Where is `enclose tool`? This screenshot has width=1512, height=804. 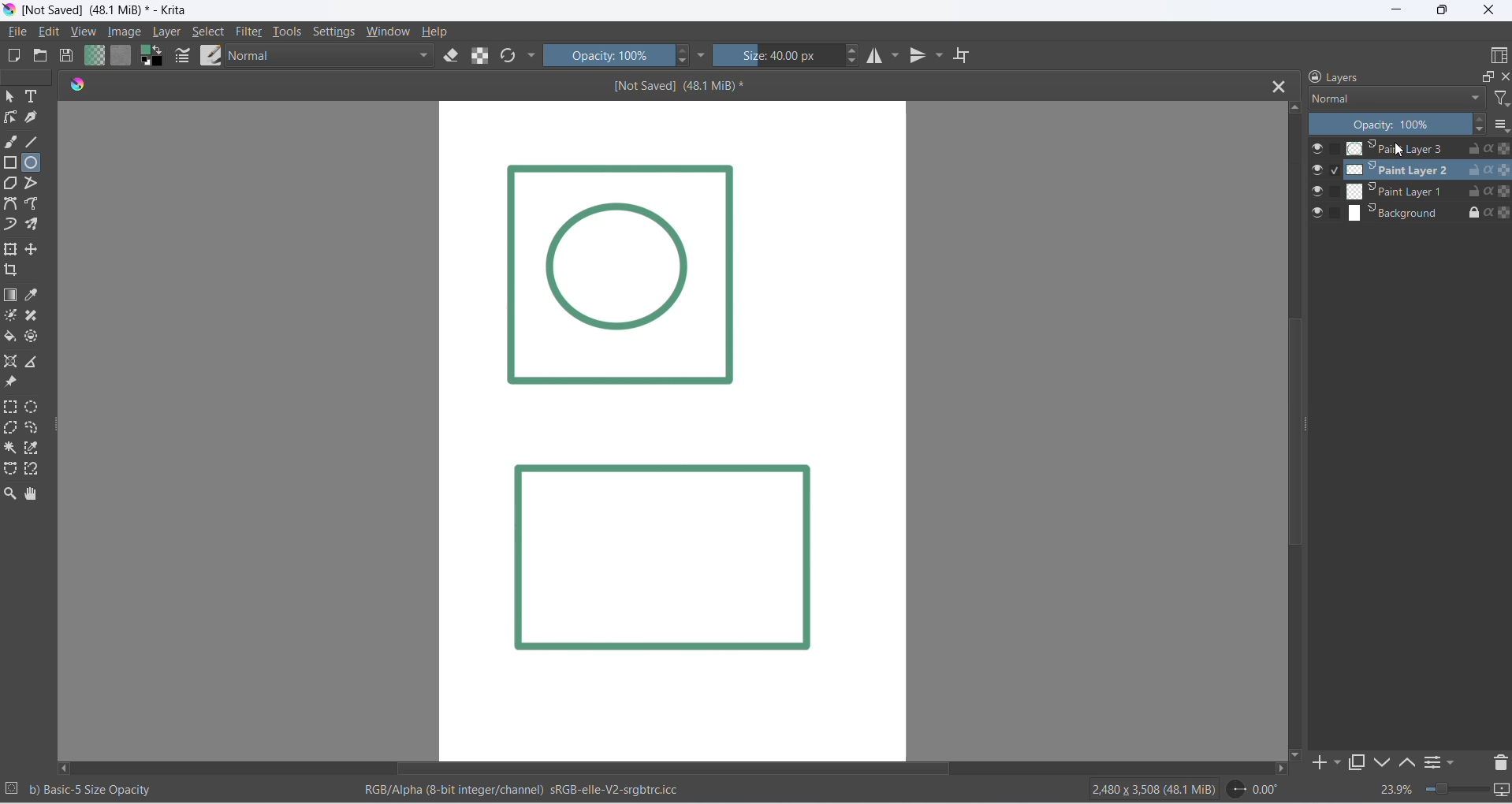 enclose tool is located at coordinates (35, 337).